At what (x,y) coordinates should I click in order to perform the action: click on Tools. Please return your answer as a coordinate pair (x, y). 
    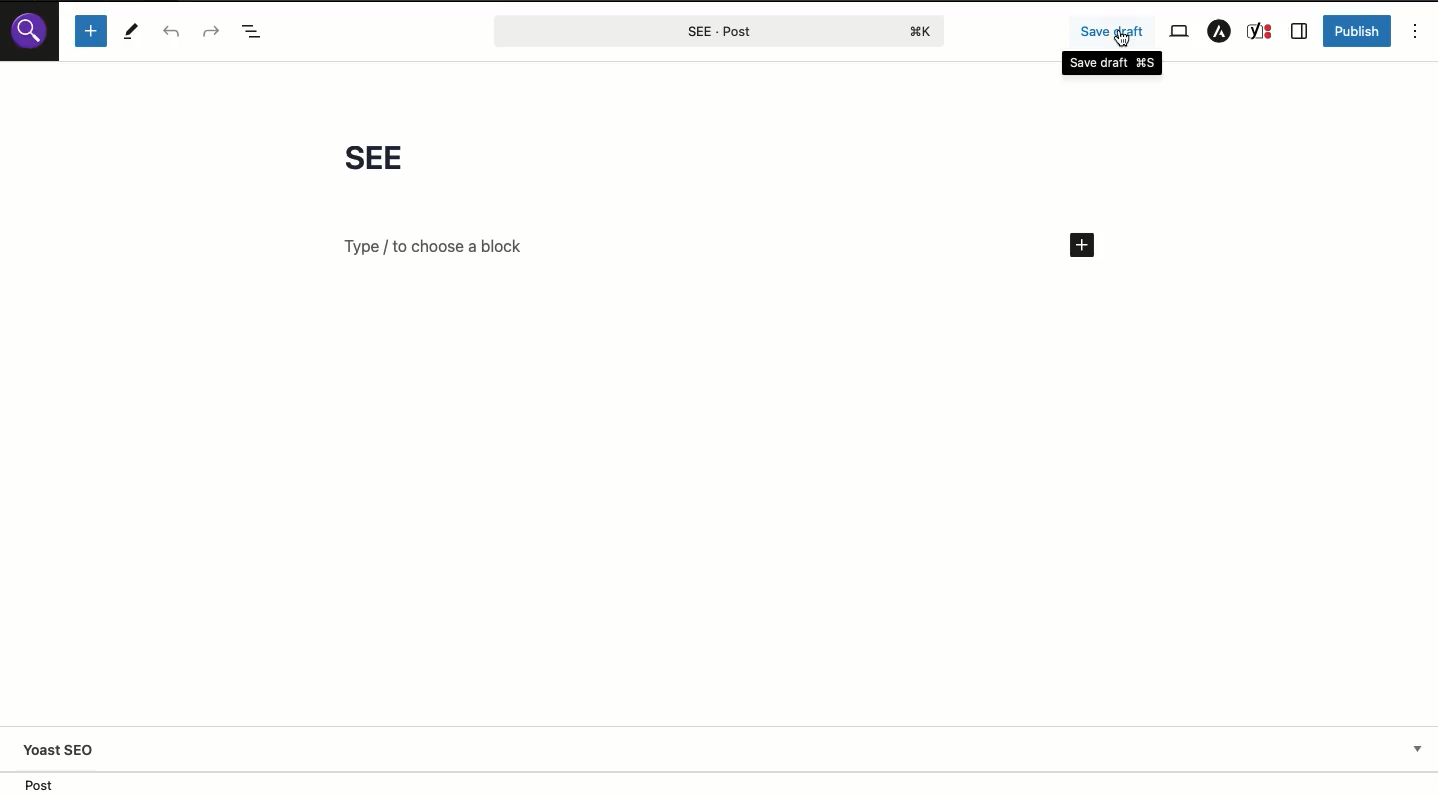
    Looking at the image, I should click on (132, 31).